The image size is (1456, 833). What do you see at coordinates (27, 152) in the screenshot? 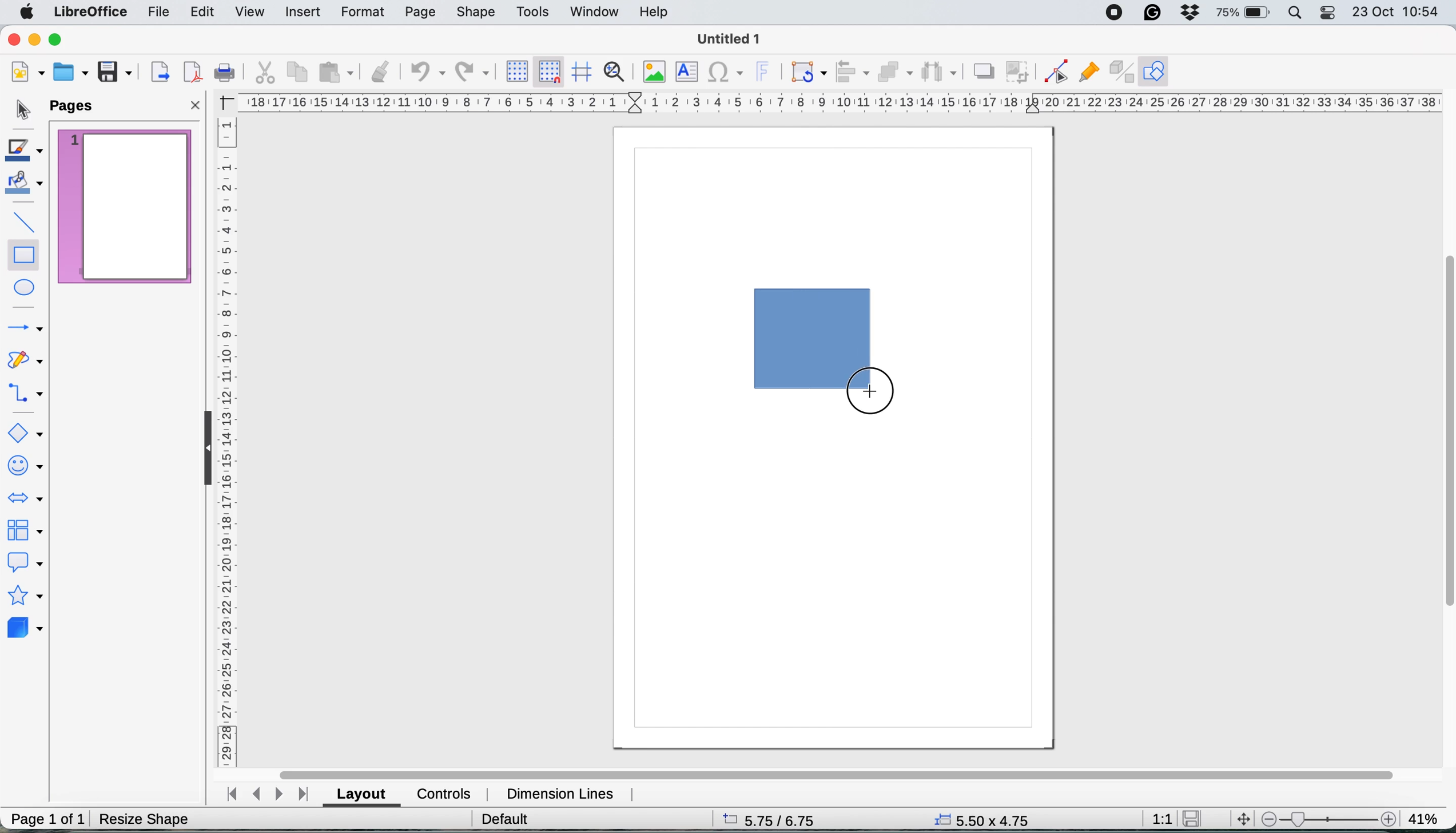
I see `line color` at bounding box center [27, 152].